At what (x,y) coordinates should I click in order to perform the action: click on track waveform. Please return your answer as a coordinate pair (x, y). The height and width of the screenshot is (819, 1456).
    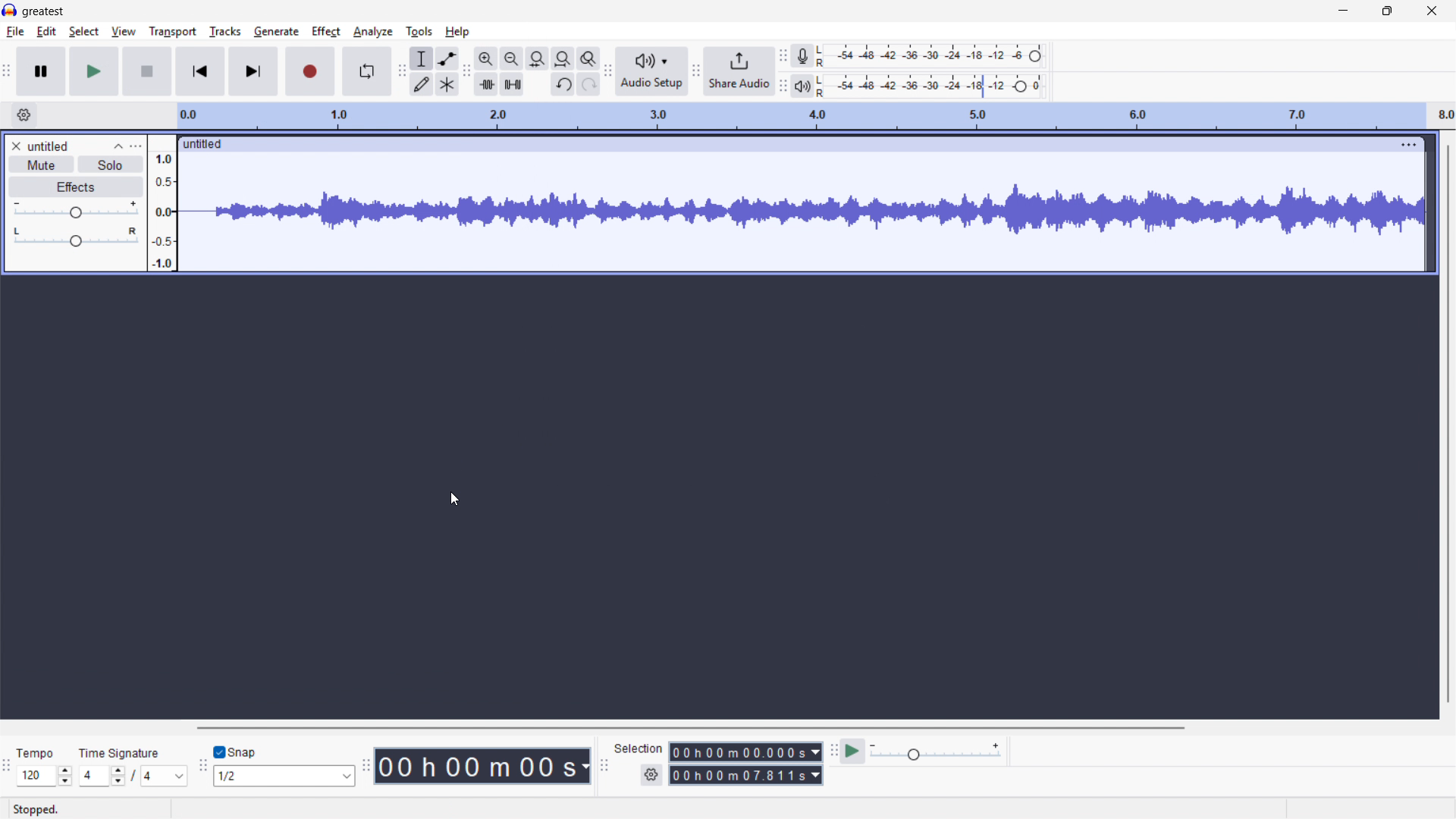
    Looking at the image, I should click on (801, 211).